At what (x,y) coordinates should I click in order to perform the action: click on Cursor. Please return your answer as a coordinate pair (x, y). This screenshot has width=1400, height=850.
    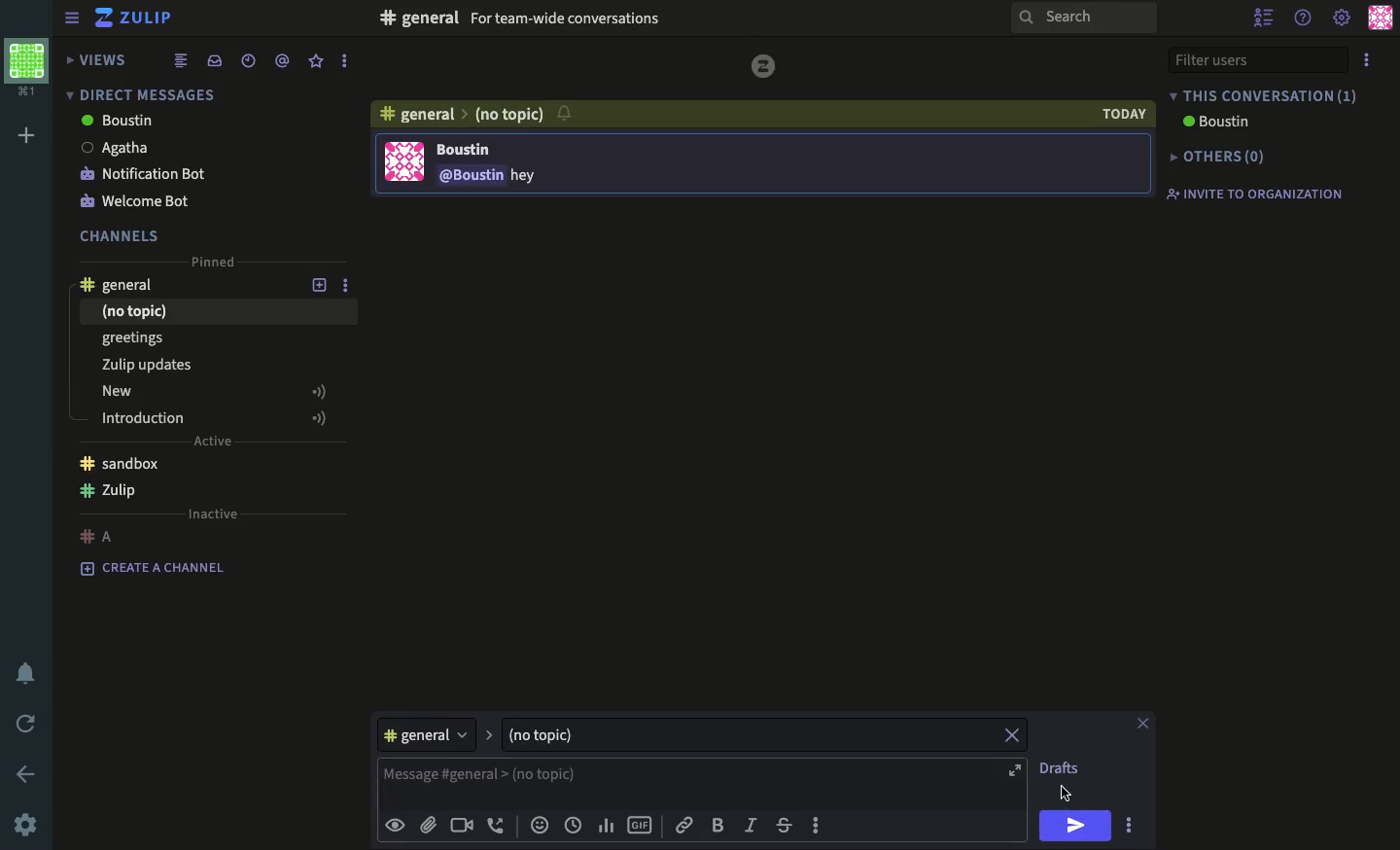
    Looking at the image, I should click on (1067, 793).